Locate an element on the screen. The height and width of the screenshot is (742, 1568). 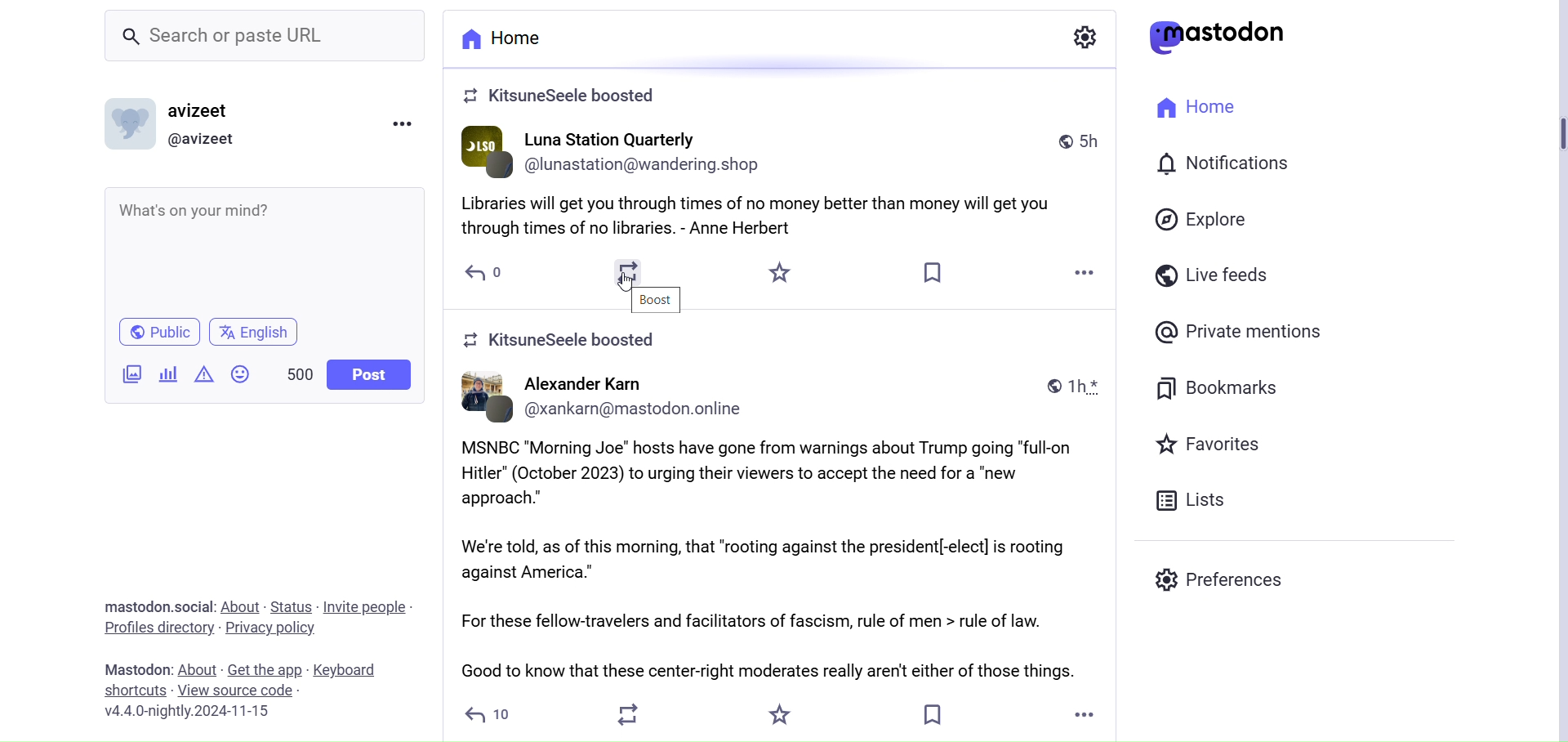
View Source Code is located at coordinates (252, 689).